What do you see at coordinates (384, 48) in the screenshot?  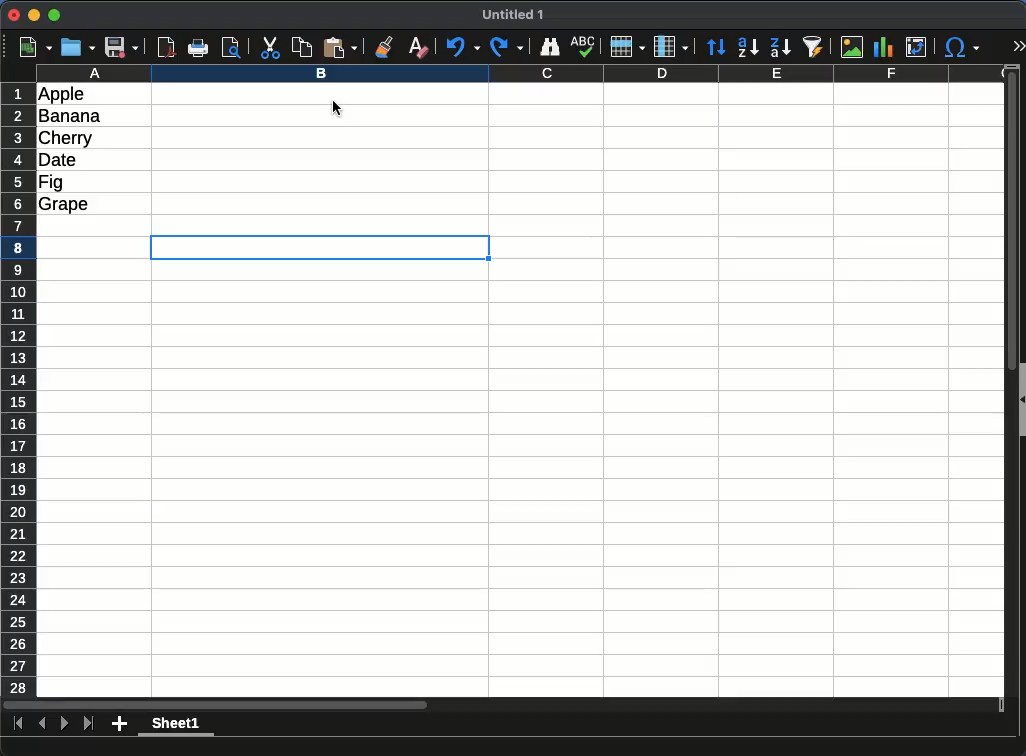 I see `clone formatting` at bounding box center [384, 48].